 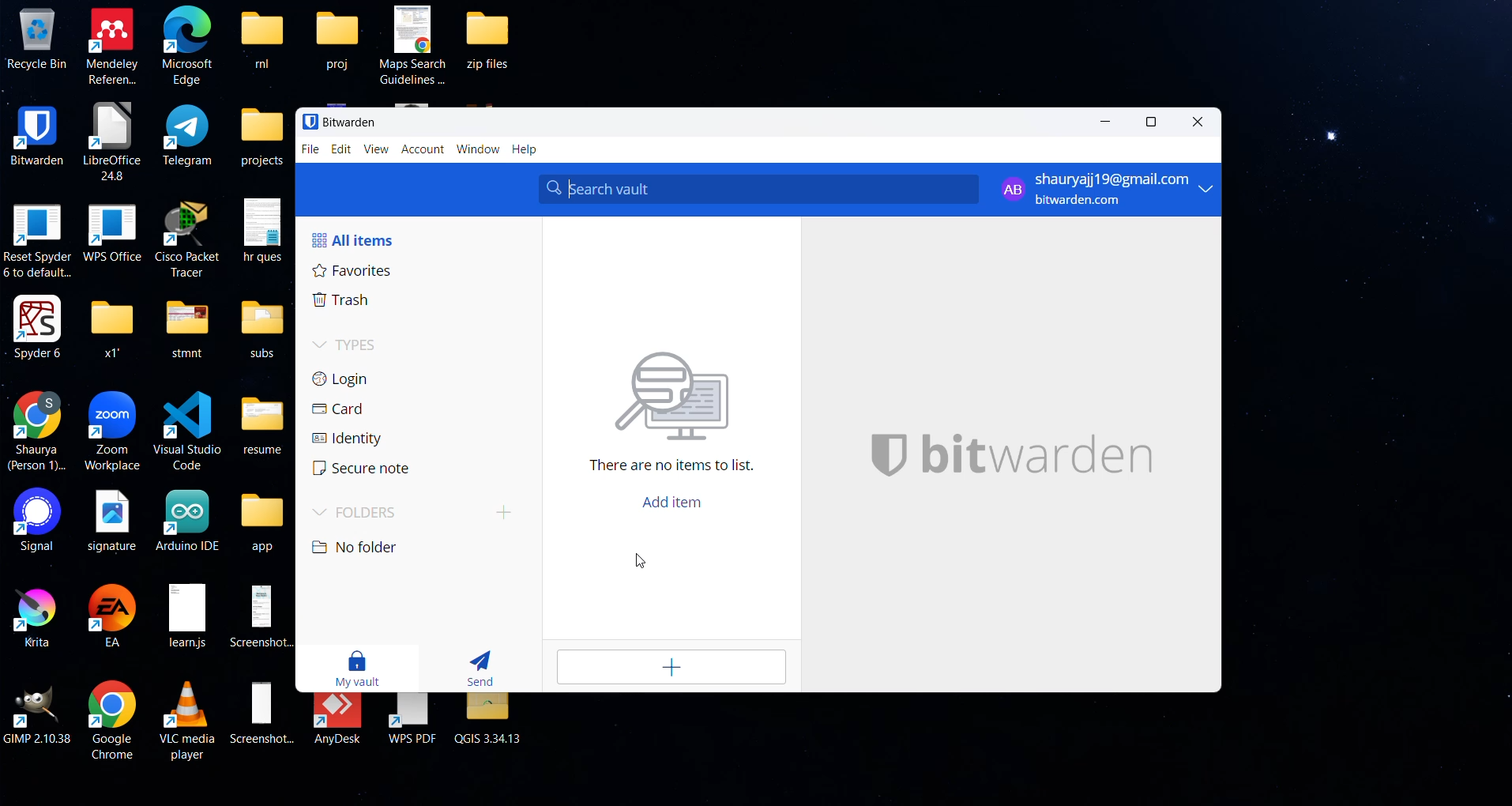 What do you see at coordinates (364, 512) in the screenshot?
I see `folders` at bounding box center [364, 512].